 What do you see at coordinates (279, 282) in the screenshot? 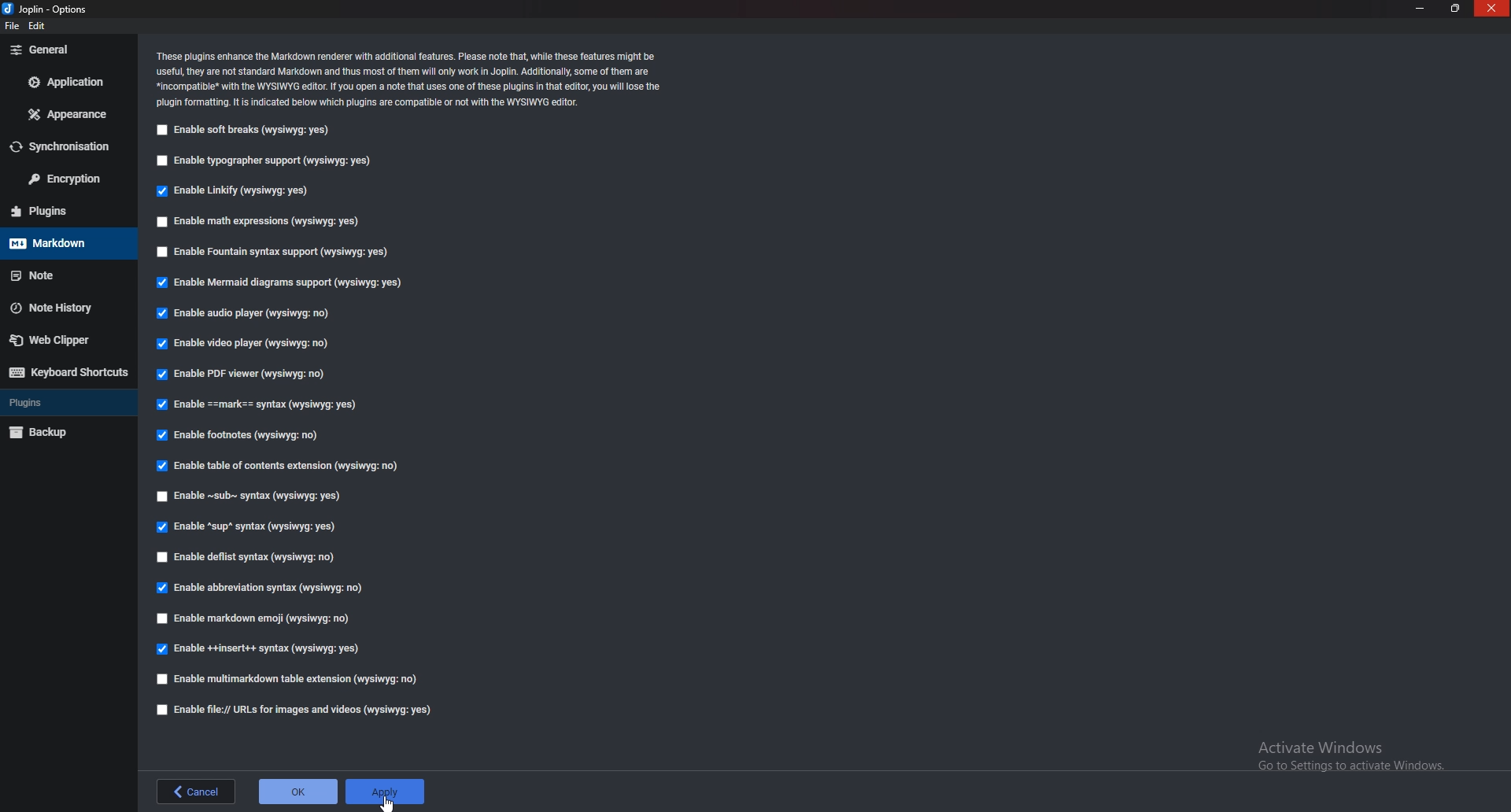
I see `Enable Mermaid diagrams` at bounding box center [279, 282].